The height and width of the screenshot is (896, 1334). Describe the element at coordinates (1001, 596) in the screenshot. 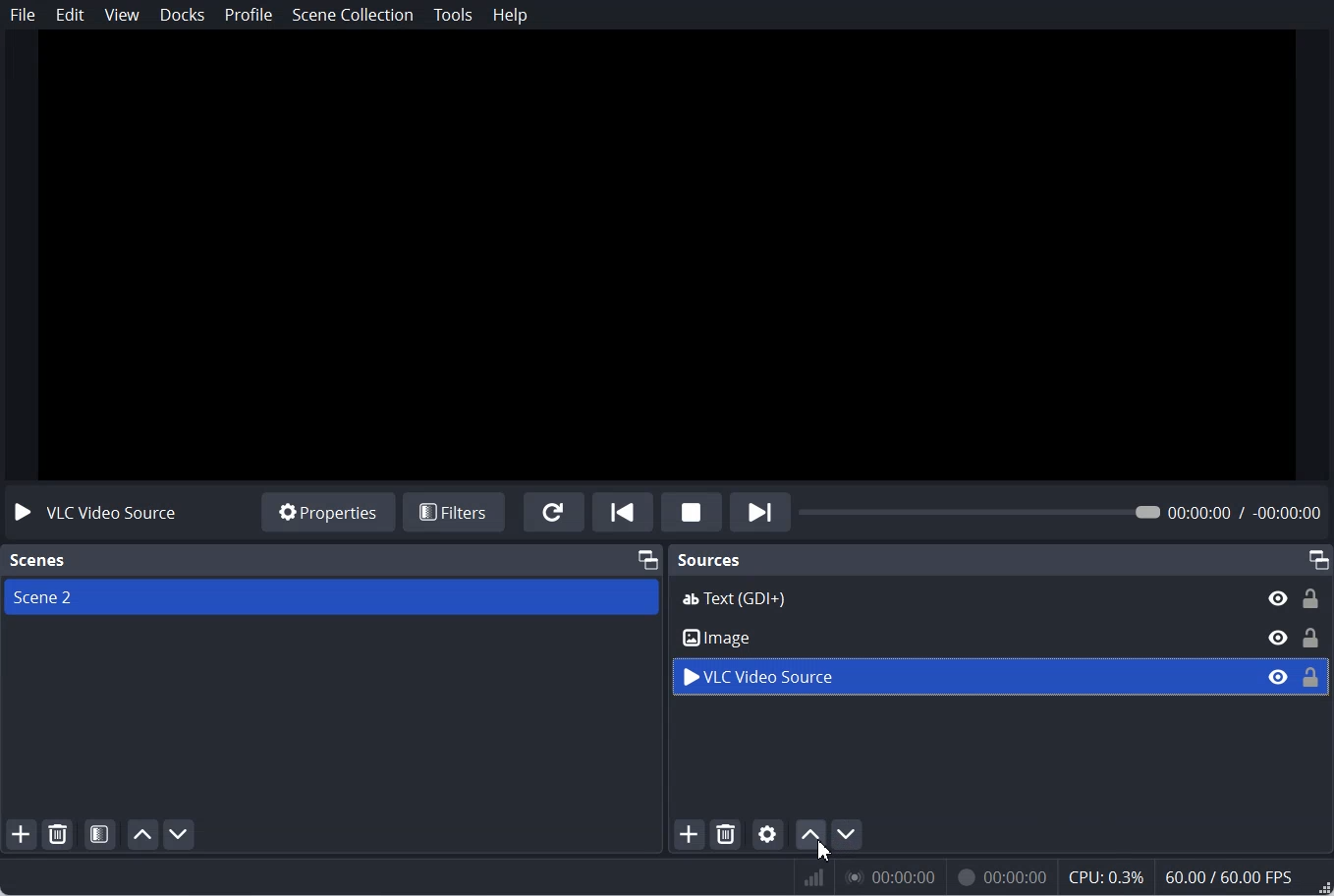

I see `Text GDI+` at that location.